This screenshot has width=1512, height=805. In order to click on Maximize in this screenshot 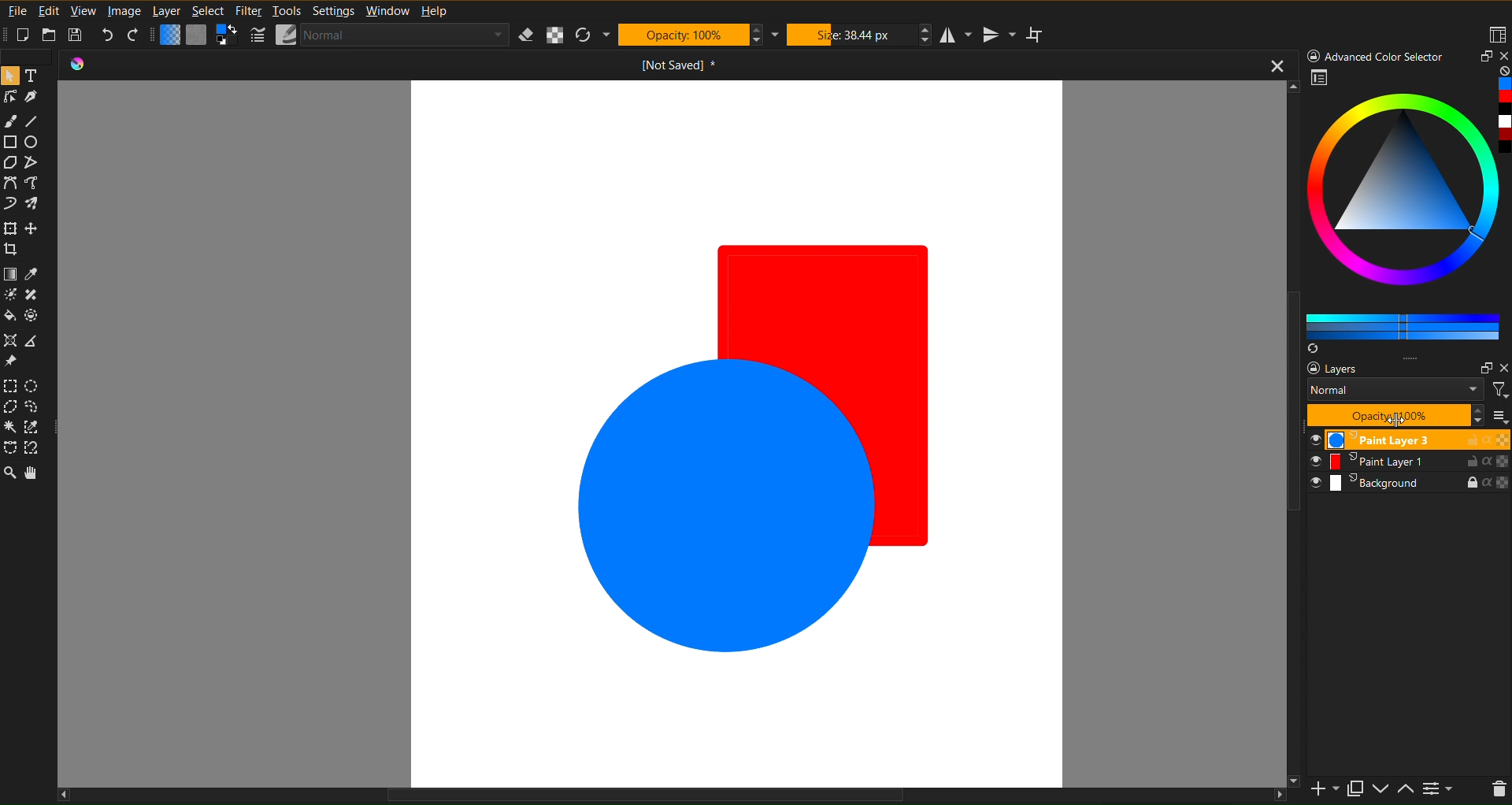, I will do `click(1481, 366)`.